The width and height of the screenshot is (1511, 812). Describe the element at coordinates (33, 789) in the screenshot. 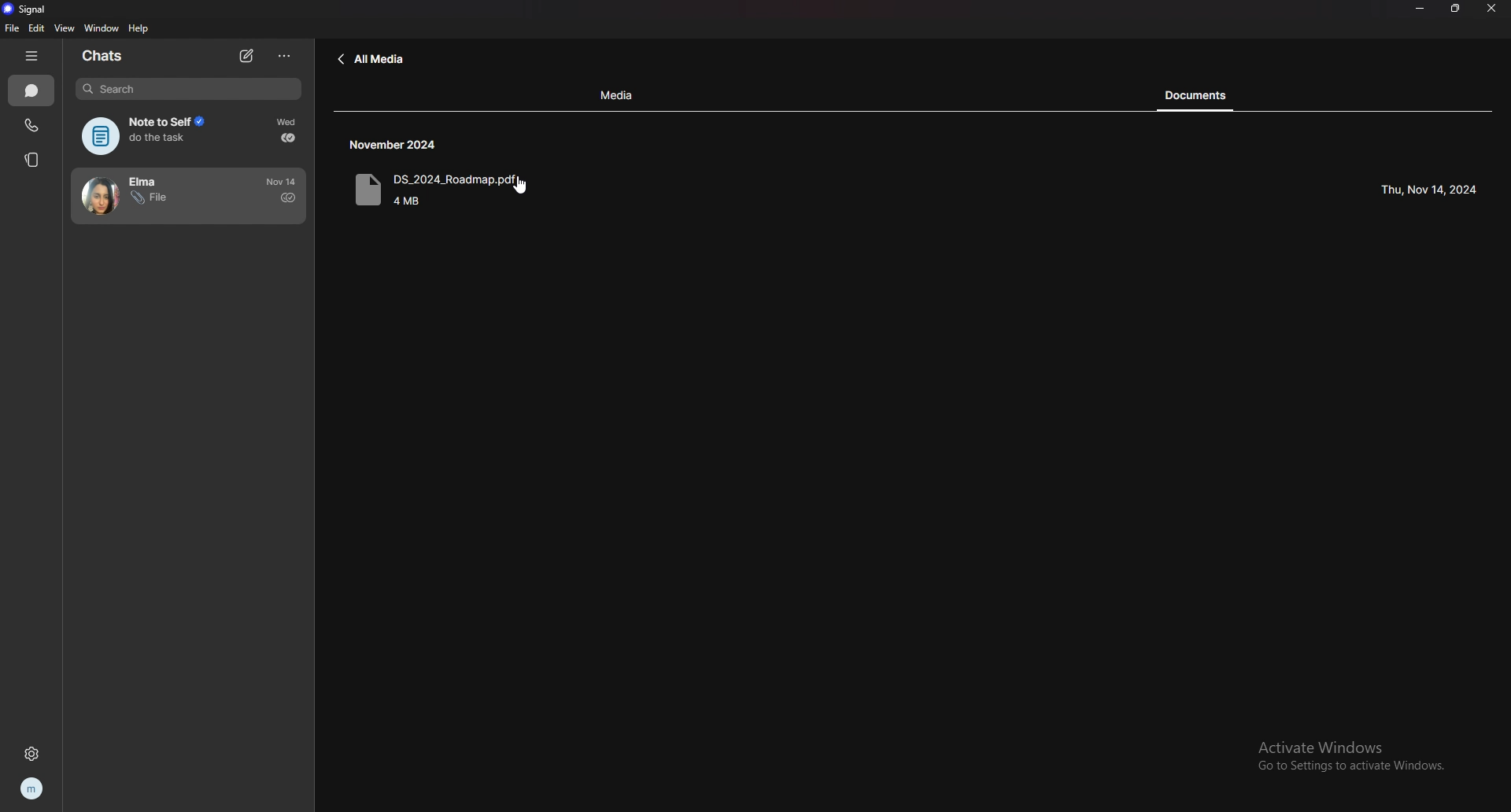

I see `profile` at that location.